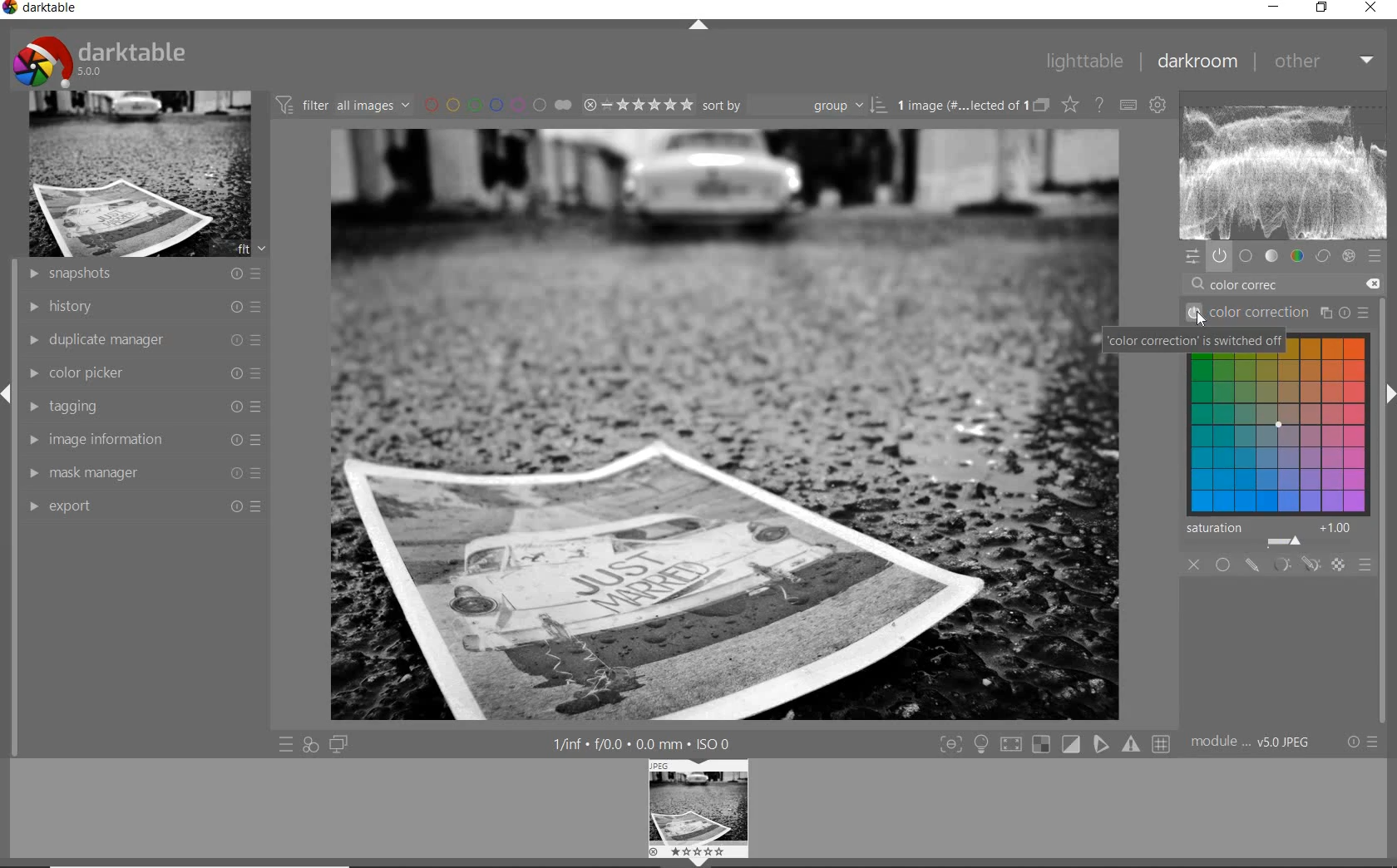 This screenshot has width=1397, height=868. I want to click on correct, so click(1323, 256).